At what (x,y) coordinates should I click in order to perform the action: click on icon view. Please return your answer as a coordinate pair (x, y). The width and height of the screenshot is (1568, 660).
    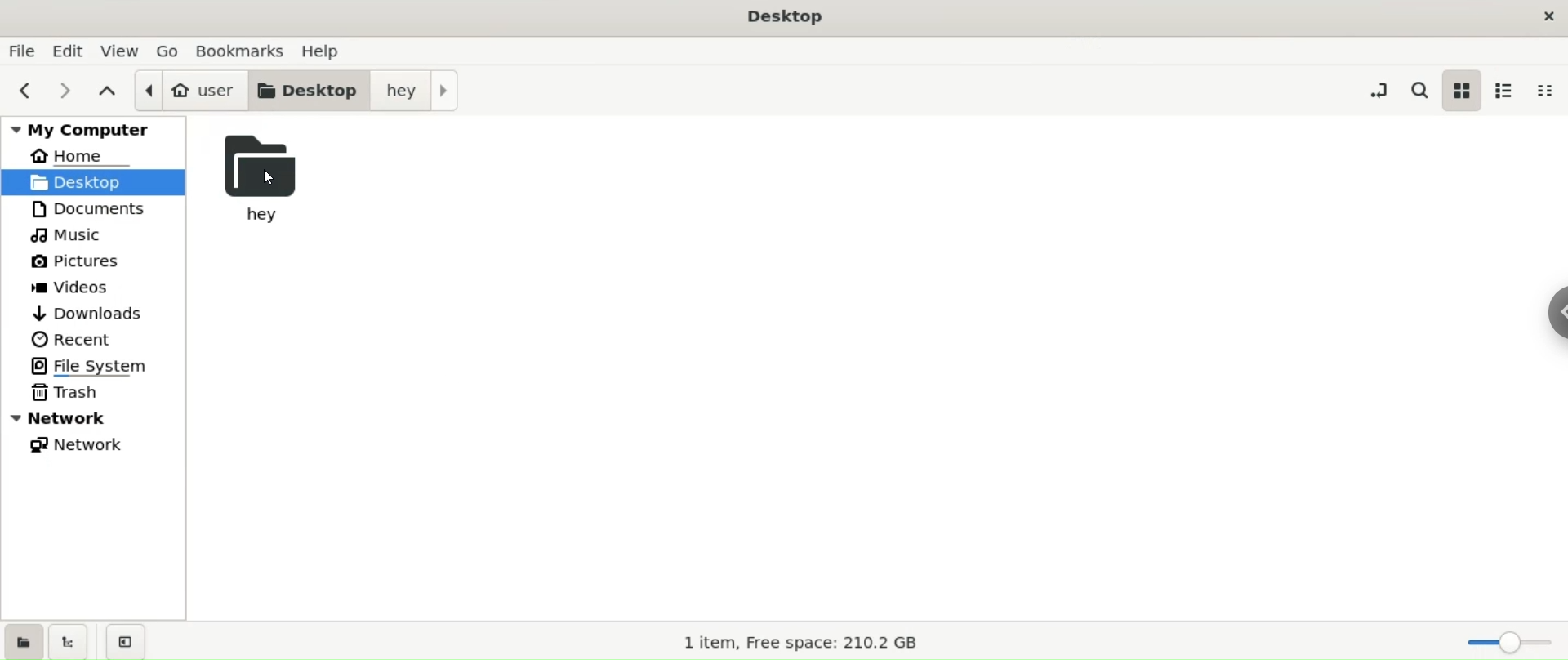
    Looking at the image, I should click on (1461, 90).